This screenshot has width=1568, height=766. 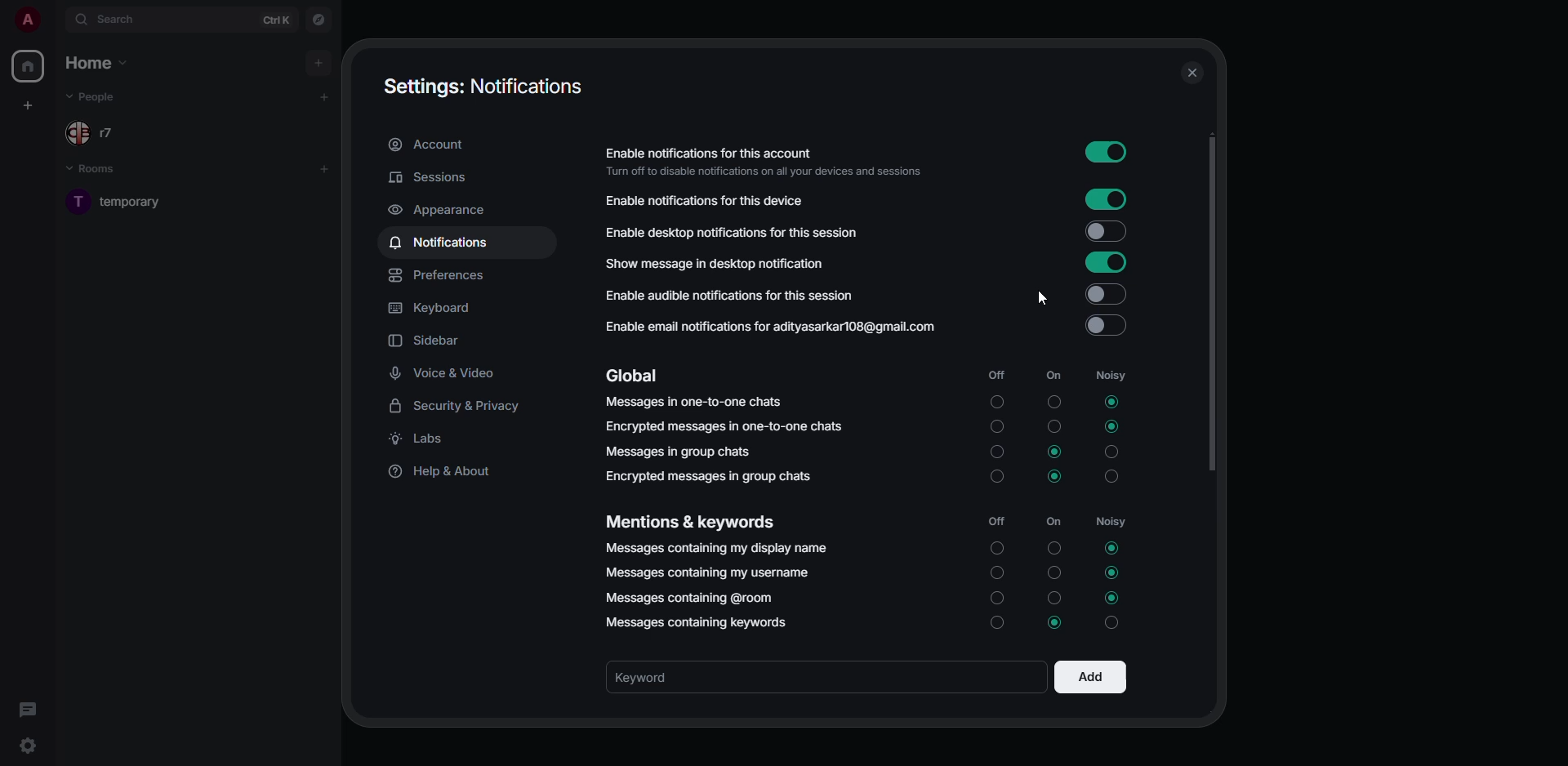 What do you see at coordinates (446, 374) in the screenshot?
I see `voice & video` at bounding box center [446, 374].